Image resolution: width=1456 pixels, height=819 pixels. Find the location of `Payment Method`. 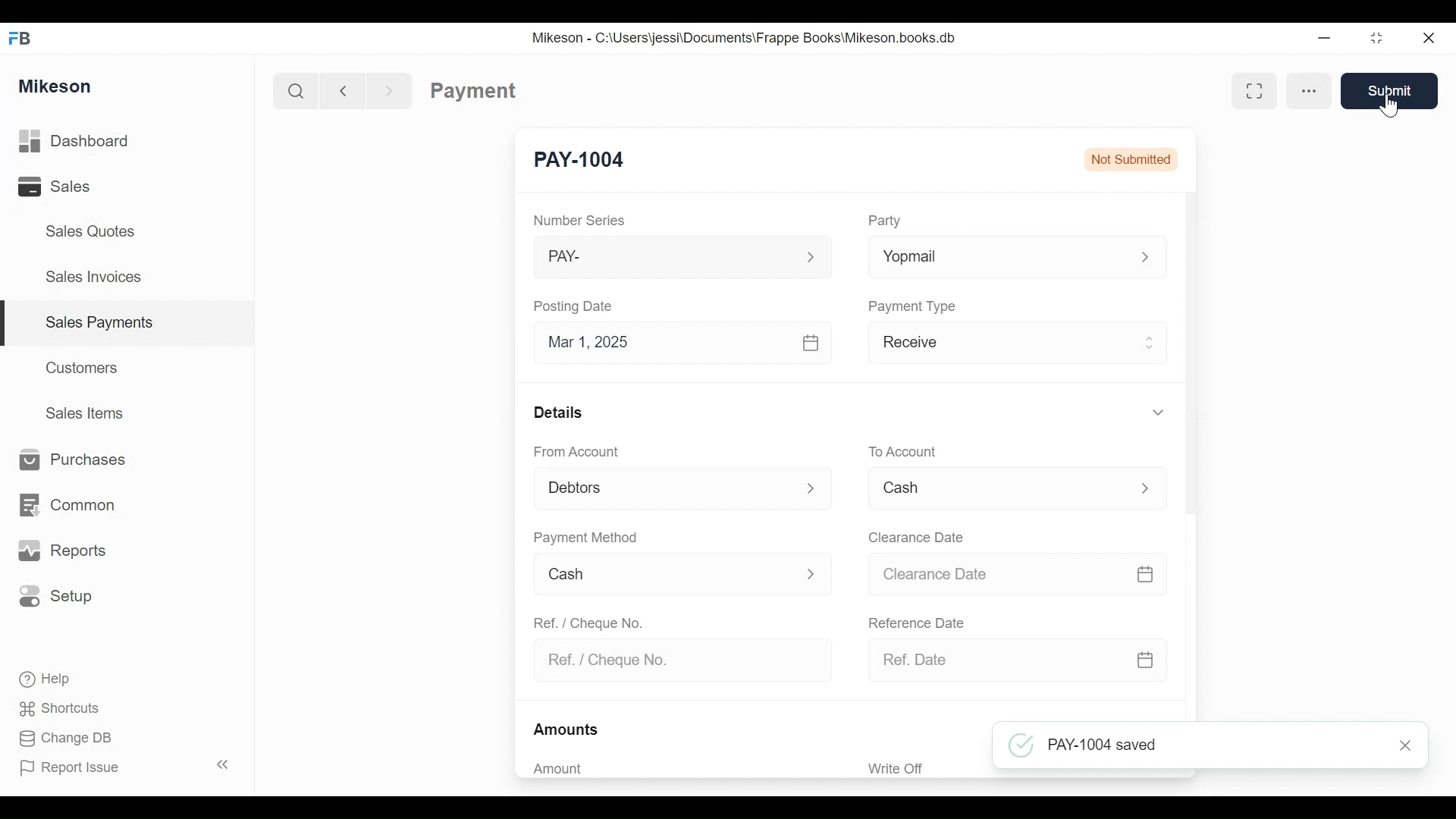

Payment Method is located at coordinates (587, 540).